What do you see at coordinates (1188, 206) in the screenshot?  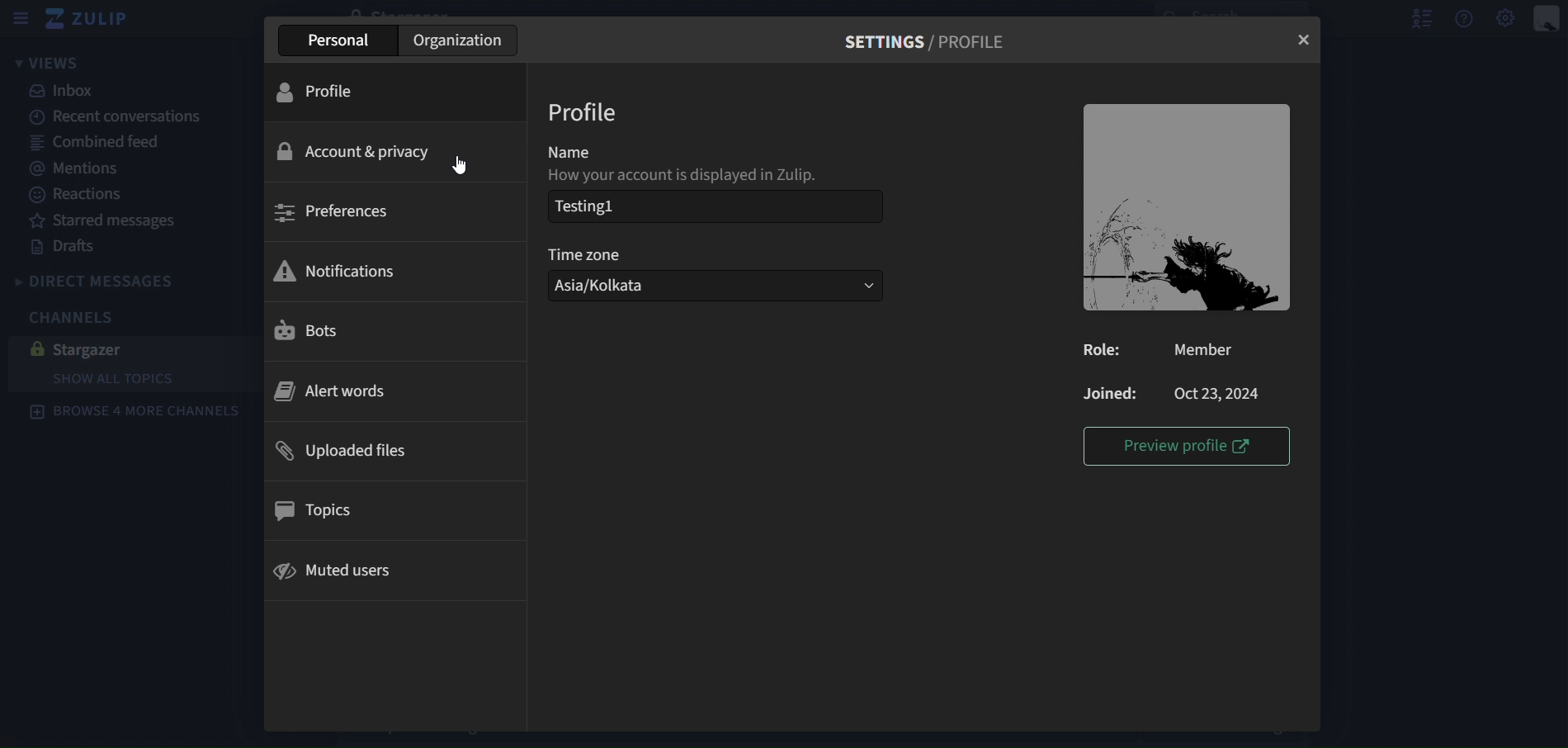 I see `image` at bounding box center [1188, 206].